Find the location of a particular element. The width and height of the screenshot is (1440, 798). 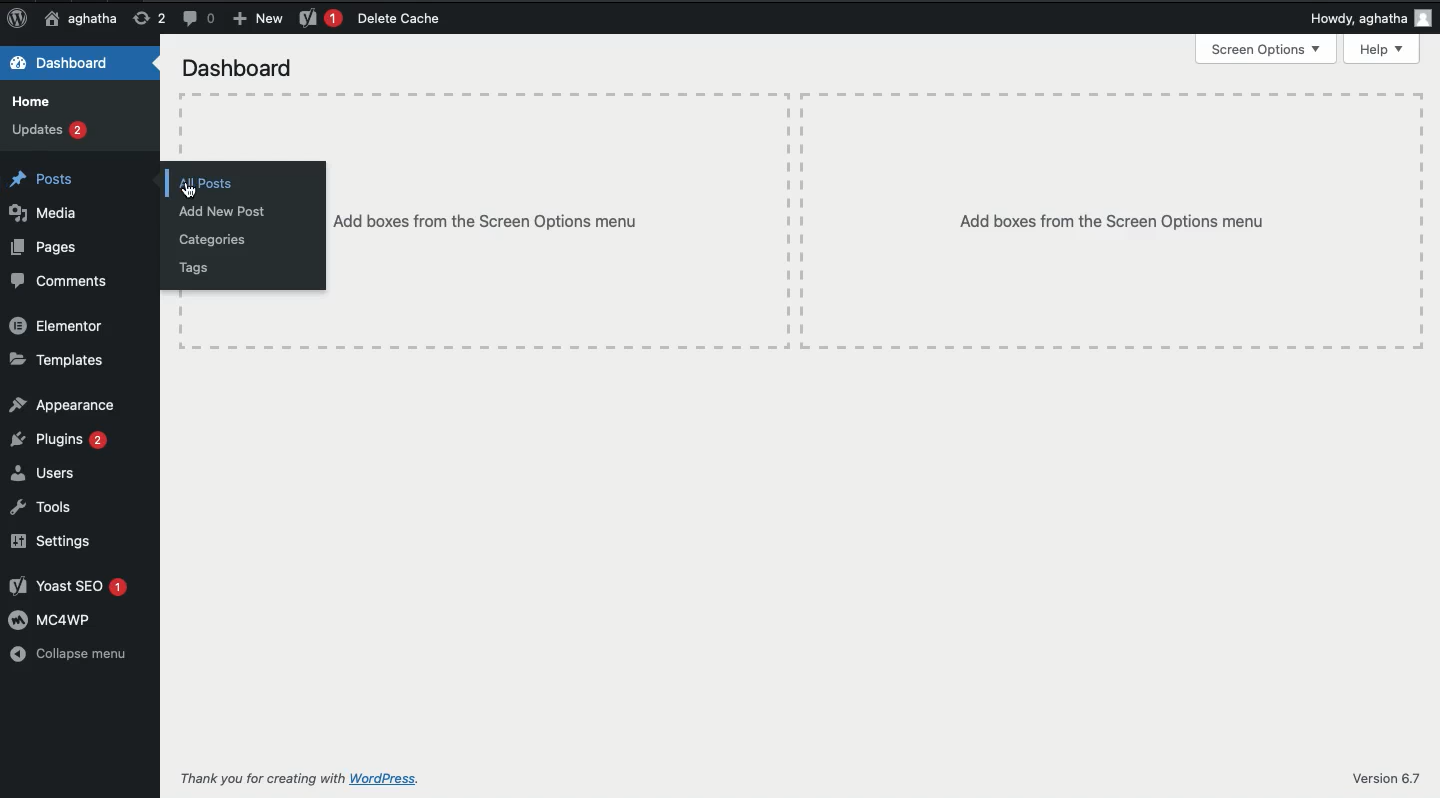

Dashboard is located at coordinates (239, 66).